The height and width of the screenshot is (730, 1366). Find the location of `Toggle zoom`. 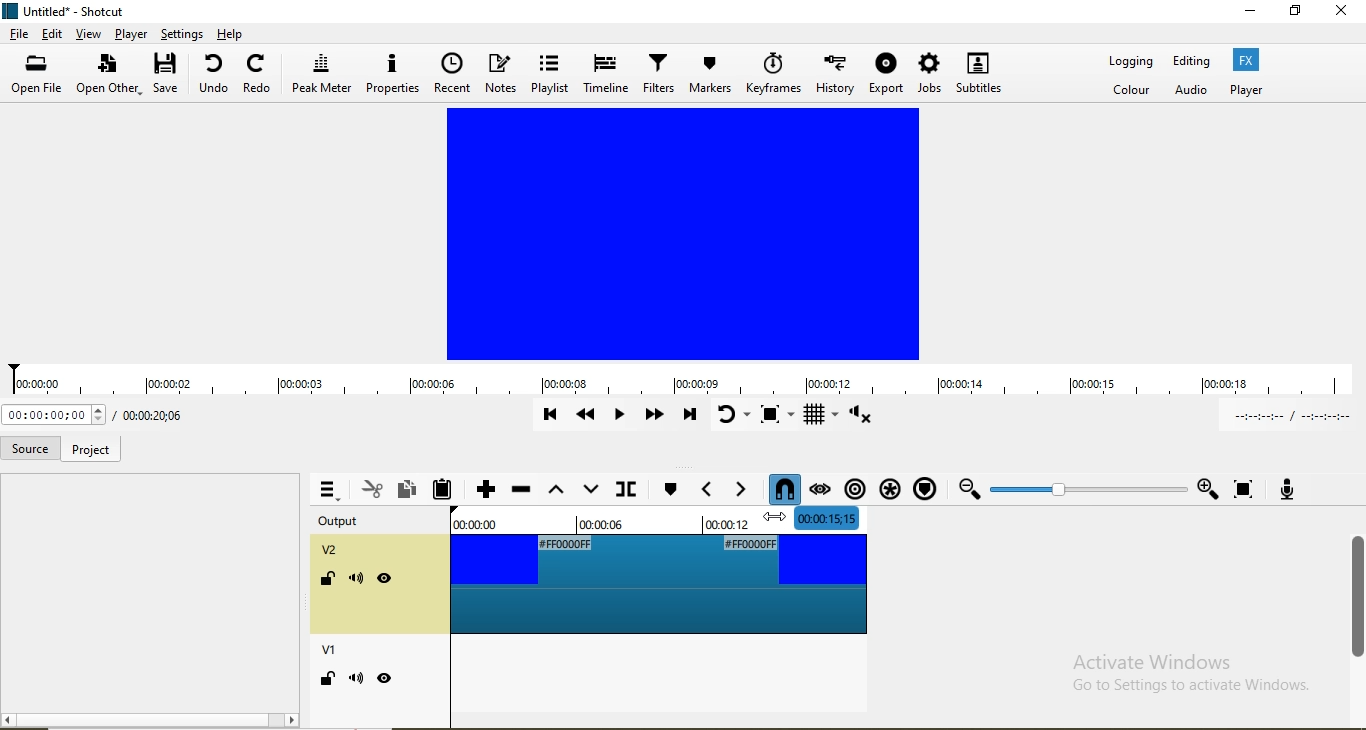

Toggle zoom is located at coordinates (780, 416).